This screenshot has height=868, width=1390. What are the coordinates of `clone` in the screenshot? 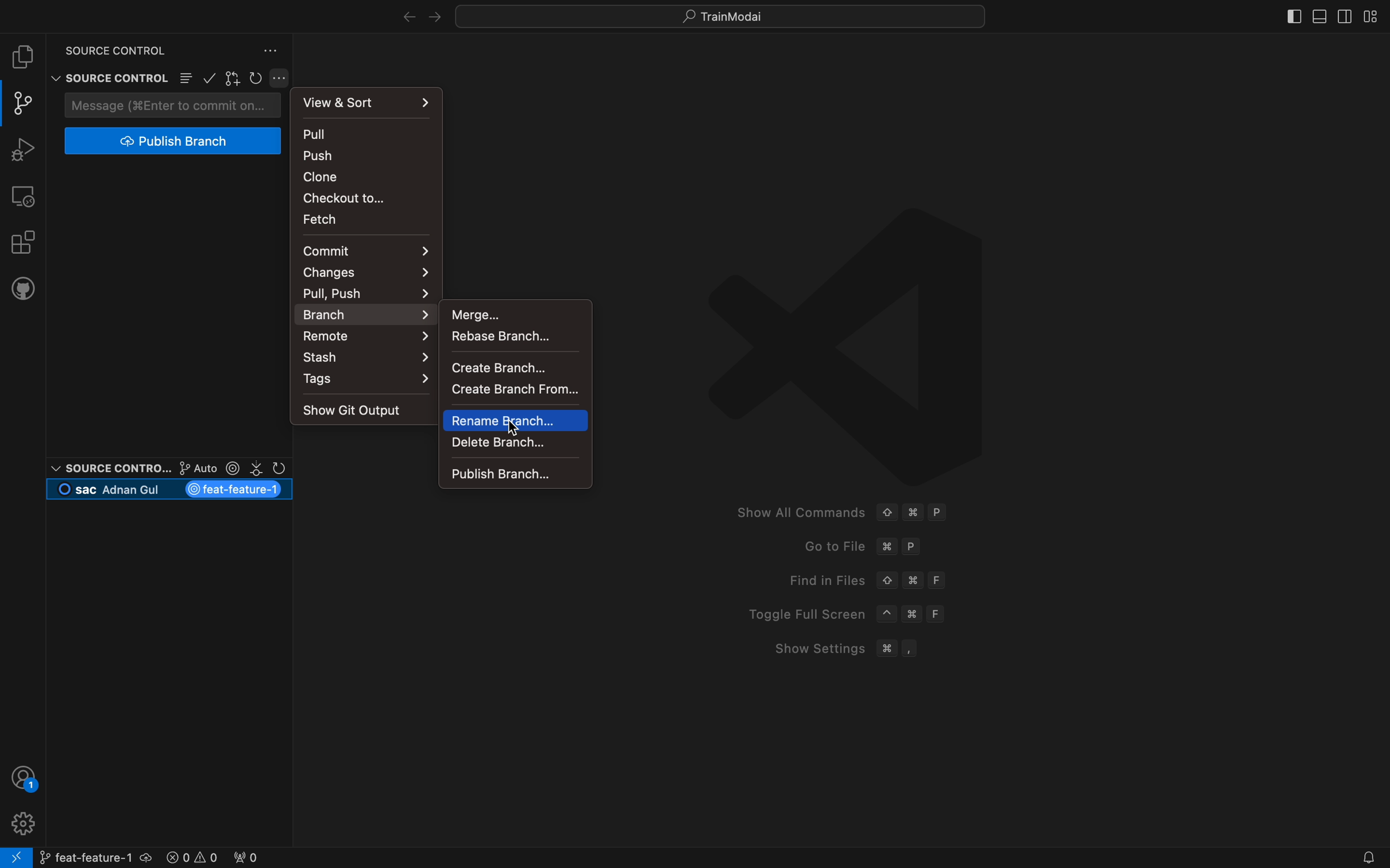 It's located at (367, 178).